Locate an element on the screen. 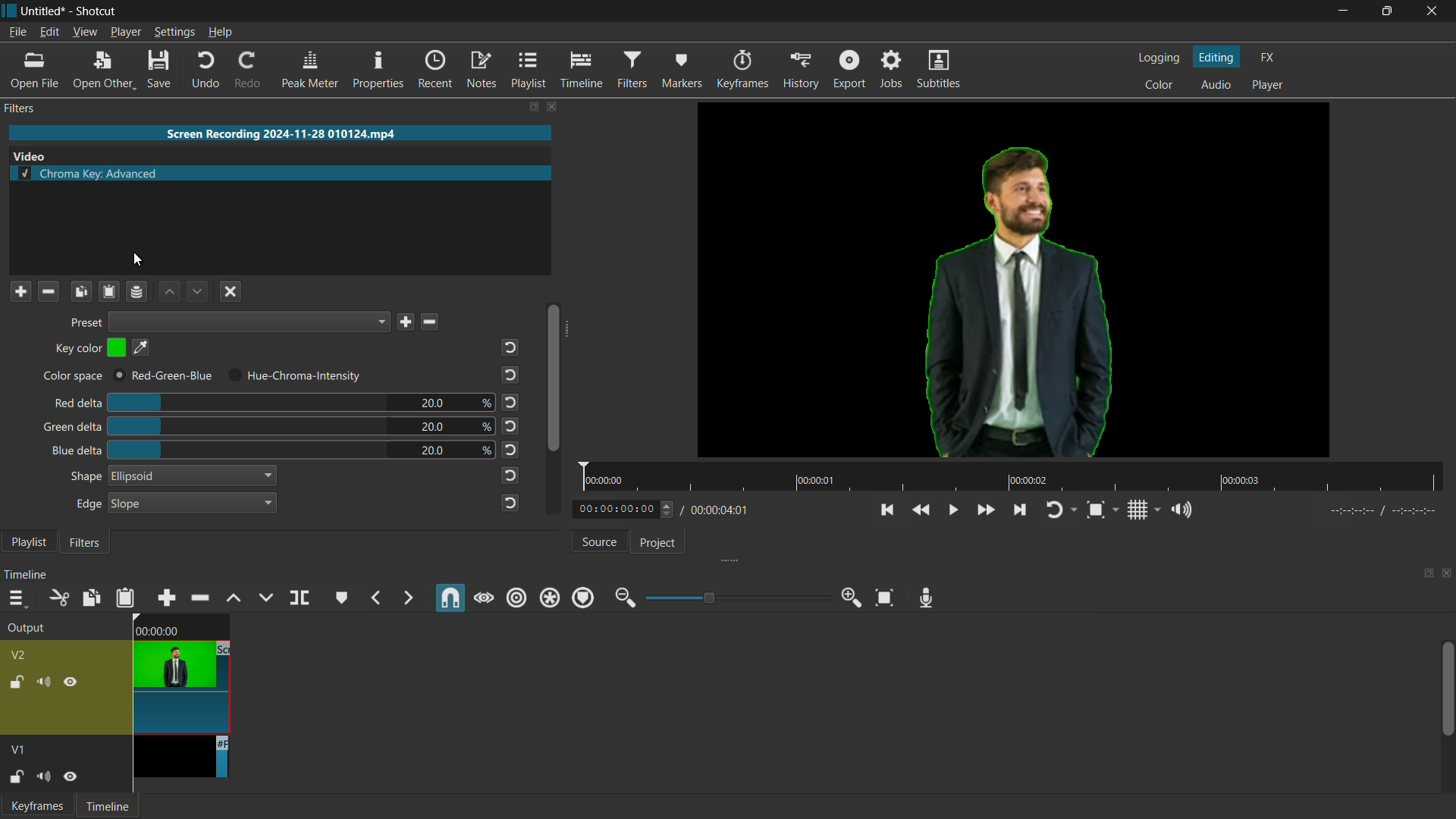 Image resolution: width=1456 pixels, height=819 pixels. history is located at coordinates (798, 71).